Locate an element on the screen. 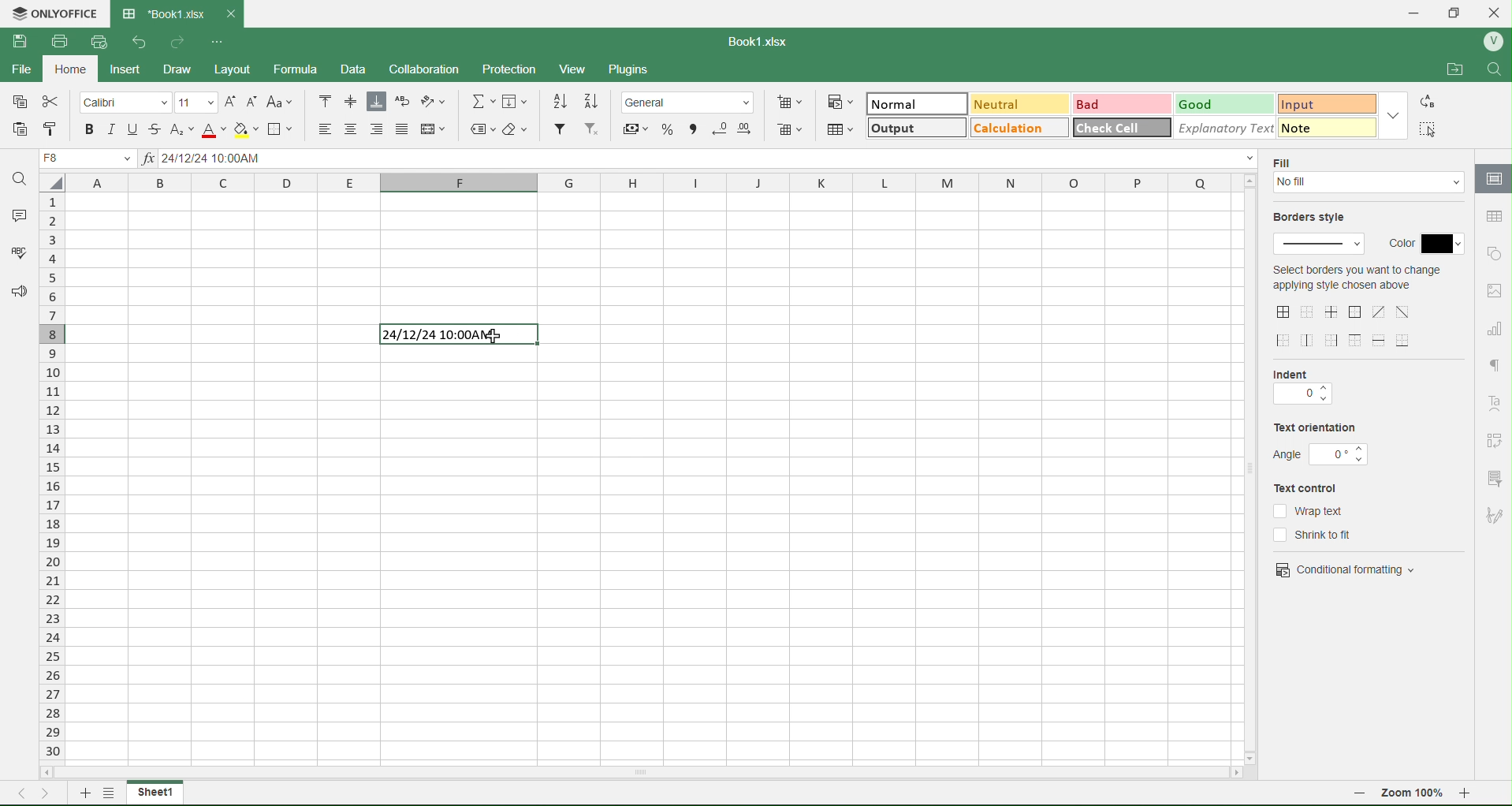 The height and width of the screenshot is (806, 1512). Cut is located at coordinates (53, 103).